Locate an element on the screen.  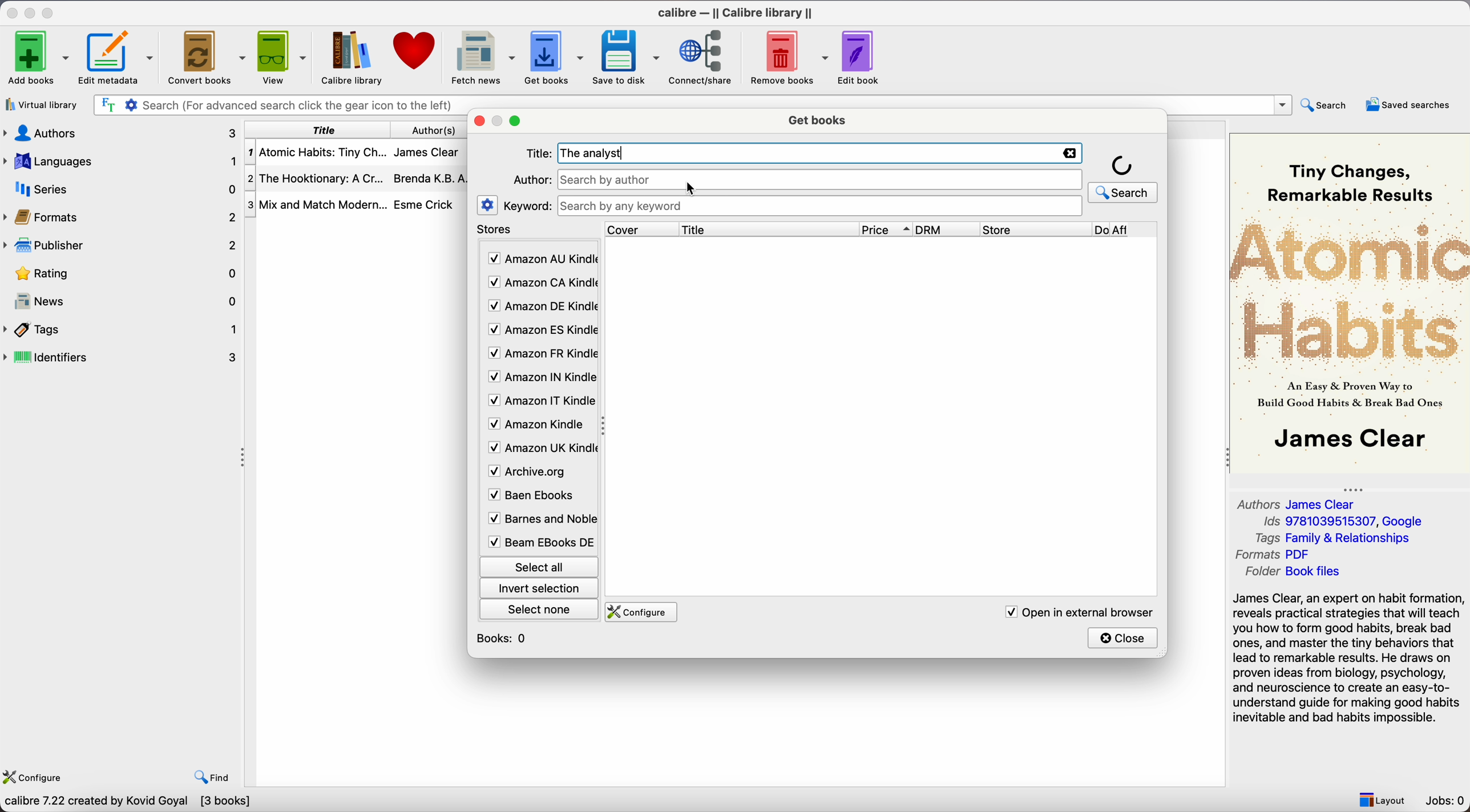
title is located at coordinates (324, 130).